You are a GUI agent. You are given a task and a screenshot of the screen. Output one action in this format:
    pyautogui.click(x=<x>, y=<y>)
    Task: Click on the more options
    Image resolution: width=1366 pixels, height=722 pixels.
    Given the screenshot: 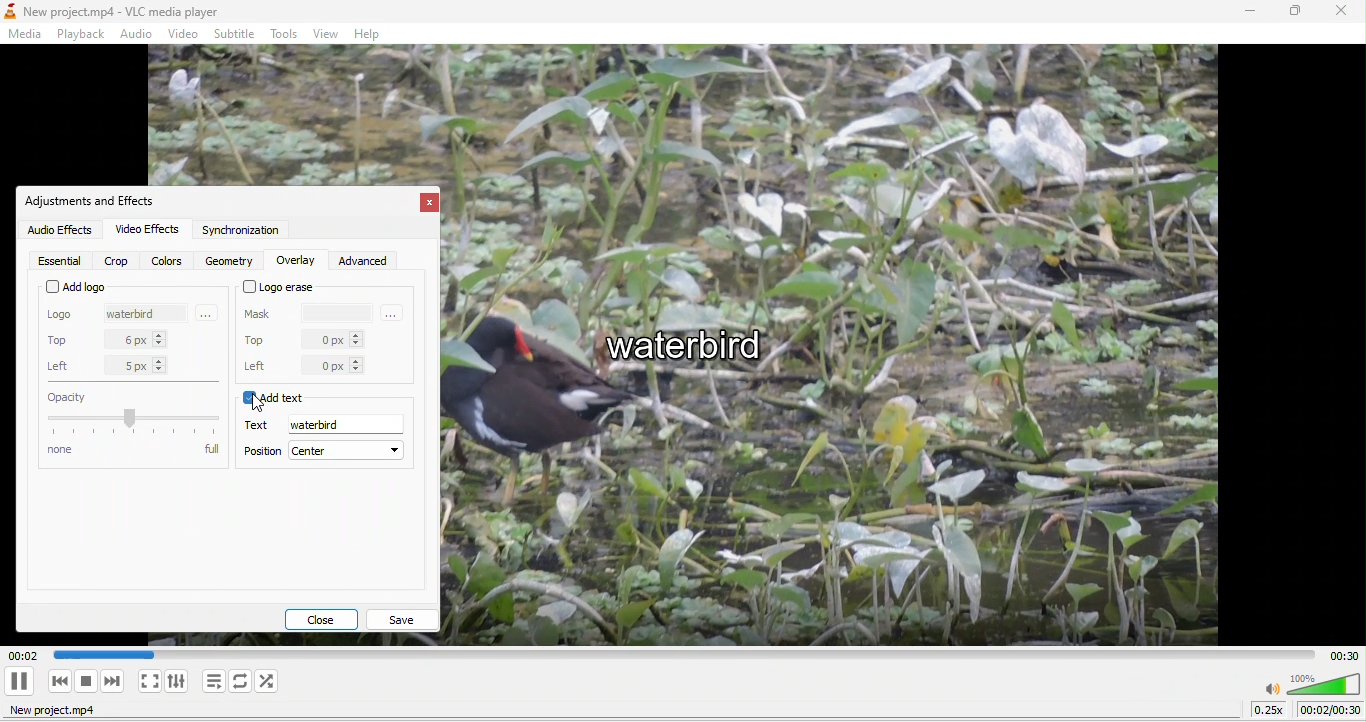 What is the action you would take?
    pyautogui.click(x=387, y=316)
    